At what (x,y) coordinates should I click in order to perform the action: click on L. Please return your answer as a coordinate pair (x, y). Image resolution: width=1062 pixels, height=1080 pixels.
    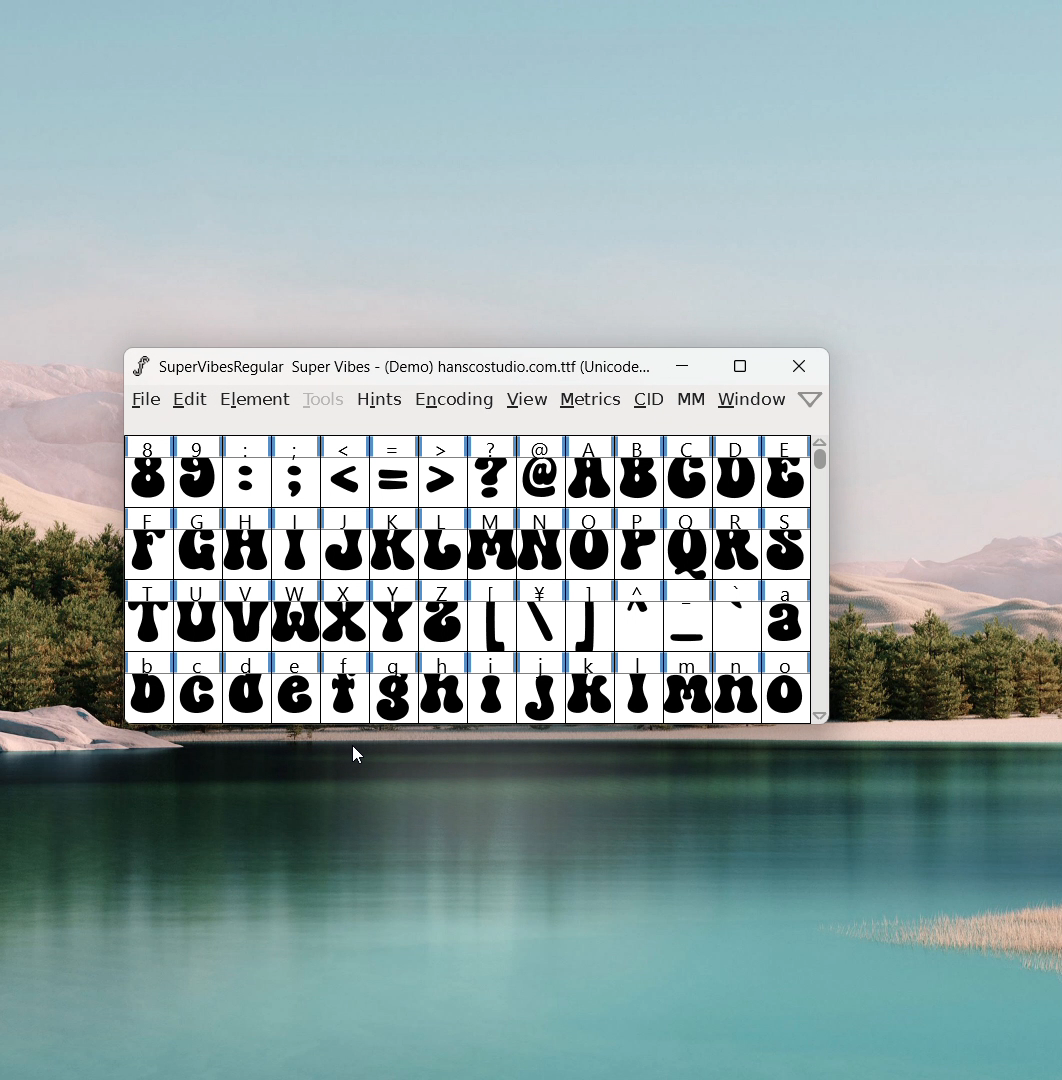
    Looking at the image, I should click on (442, 544).